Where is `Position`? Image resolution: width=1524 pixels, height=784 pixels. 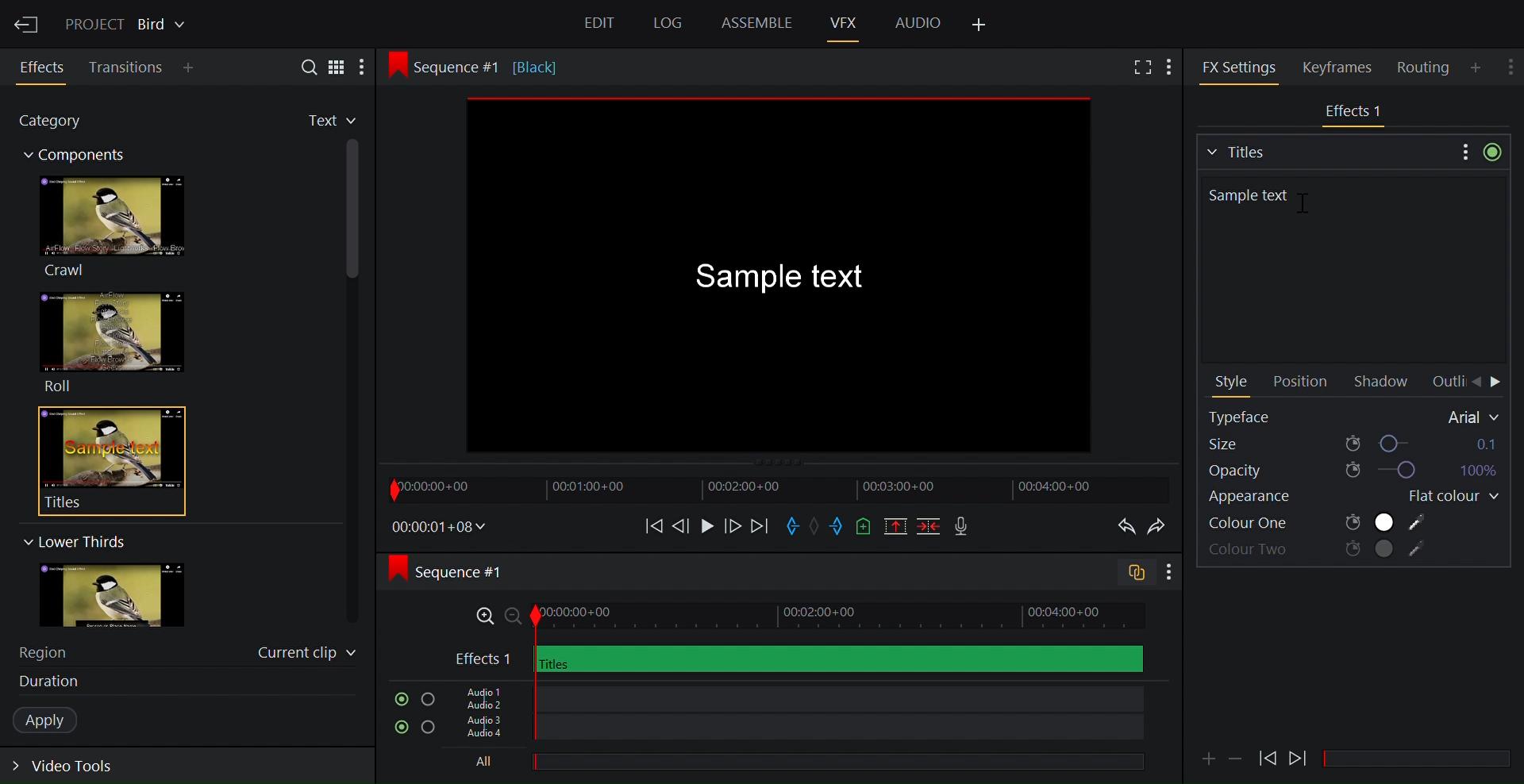 Position is located at coordinates (1299, 382).